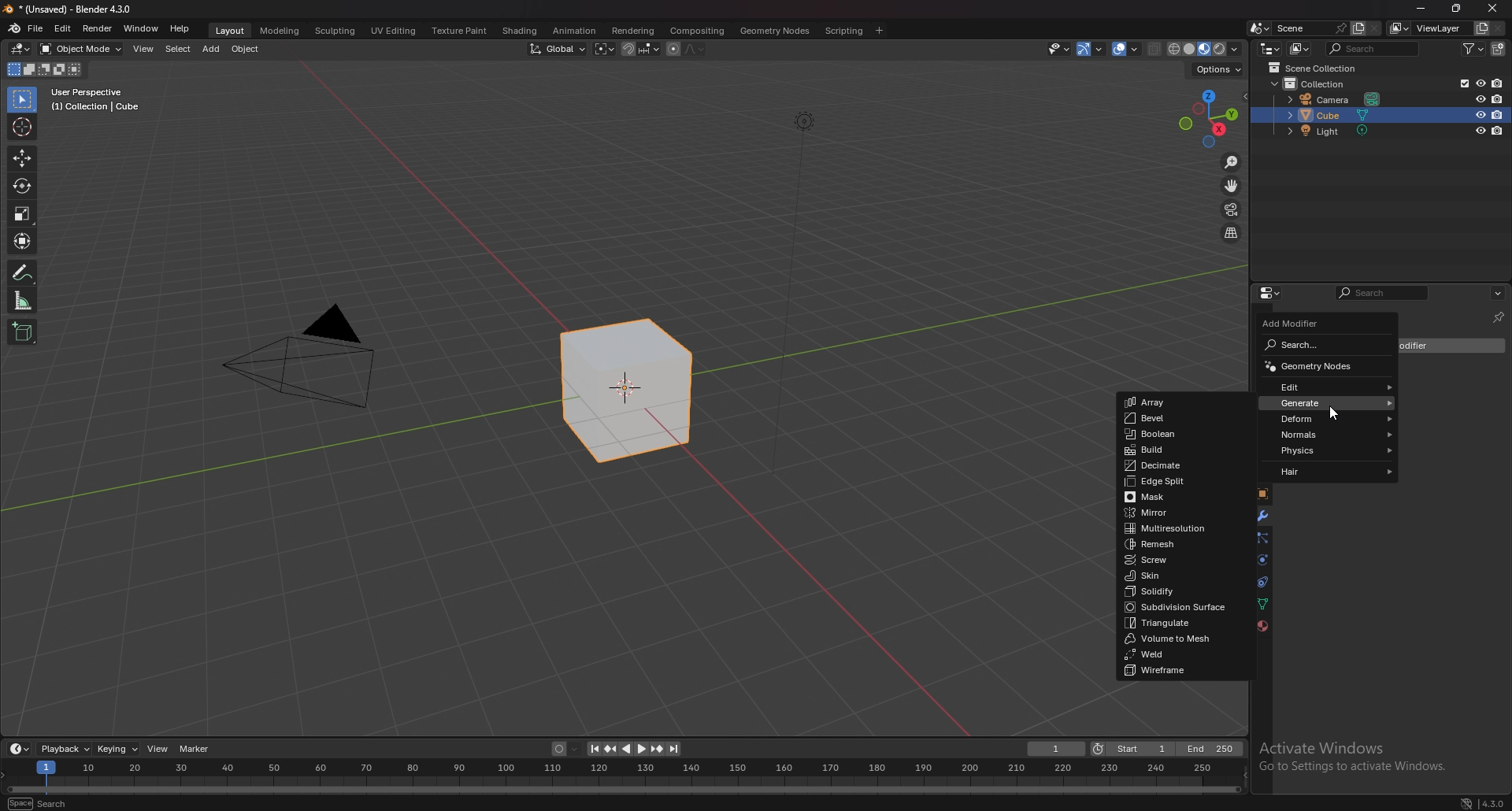  I want to click on transform, so click(23, 242).